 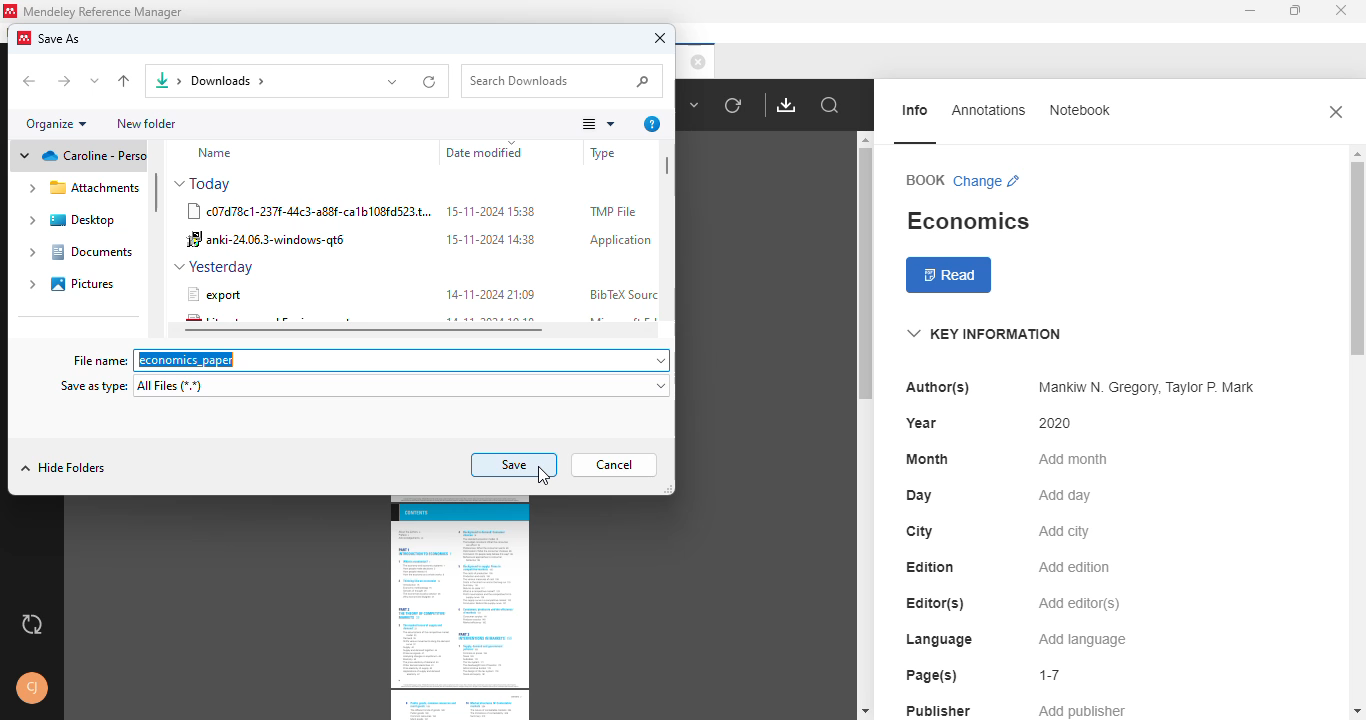 What do you see at coordinates (273, 241) in the screenshot?
I see `anki-24.06.3-windows-qt6` at bounding box center [273, 241].